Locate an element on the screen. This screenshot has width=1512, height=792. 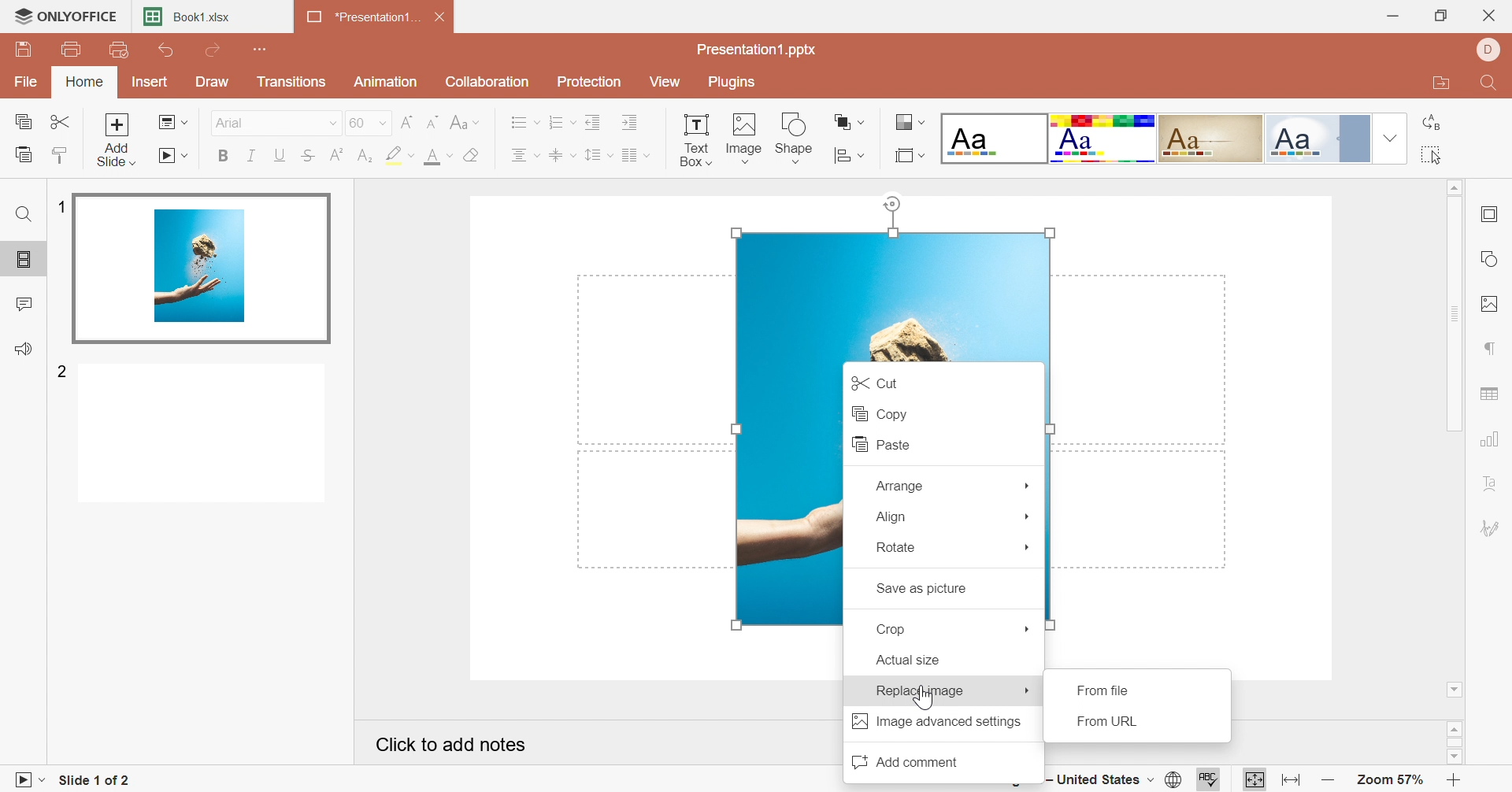
Drop Down is located at coordinates (1028, 483).